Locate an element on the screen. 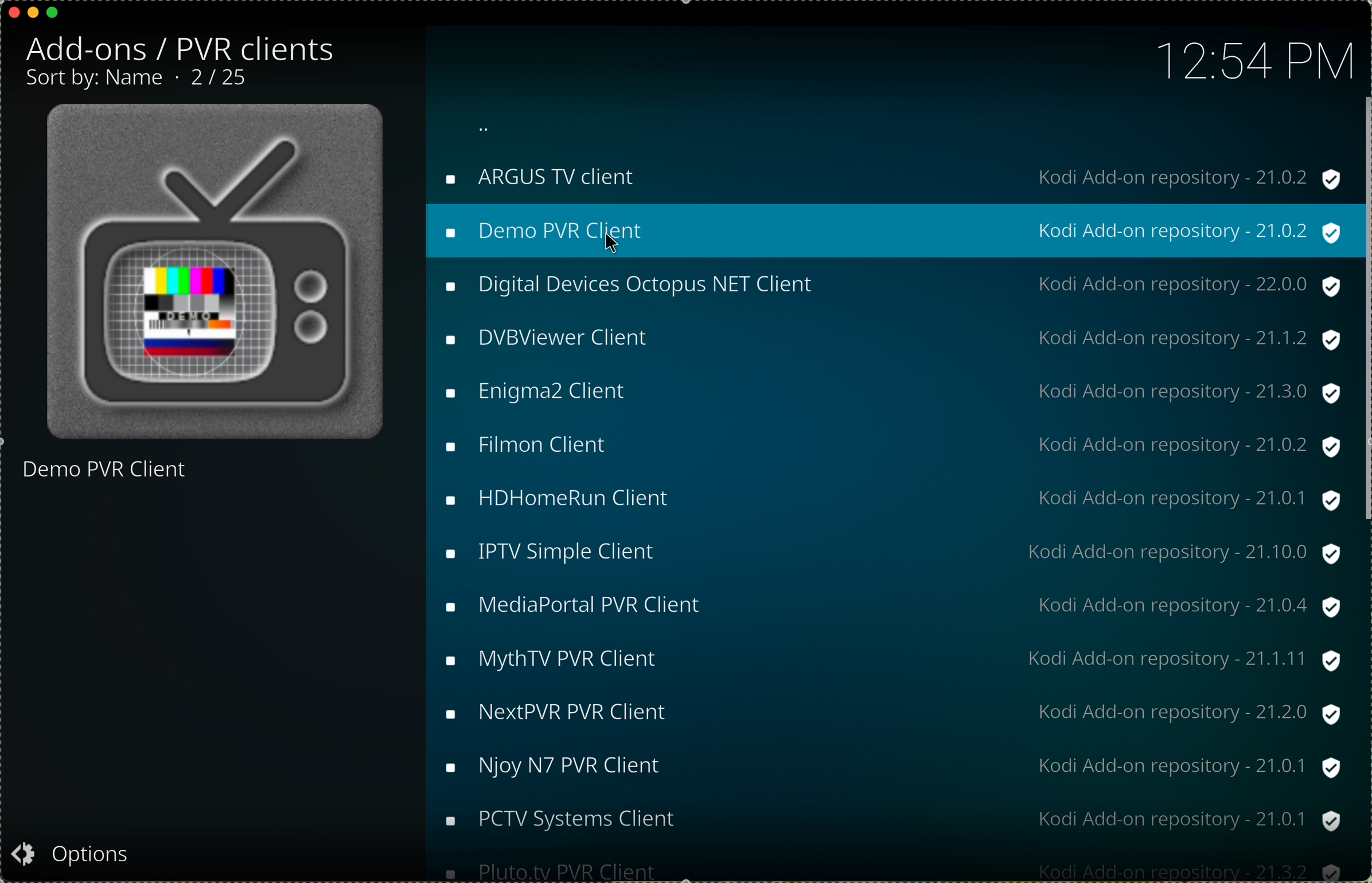 This screenshot has height=883, width=1372. 21.0.2 is located at coordinates (1283, 233).